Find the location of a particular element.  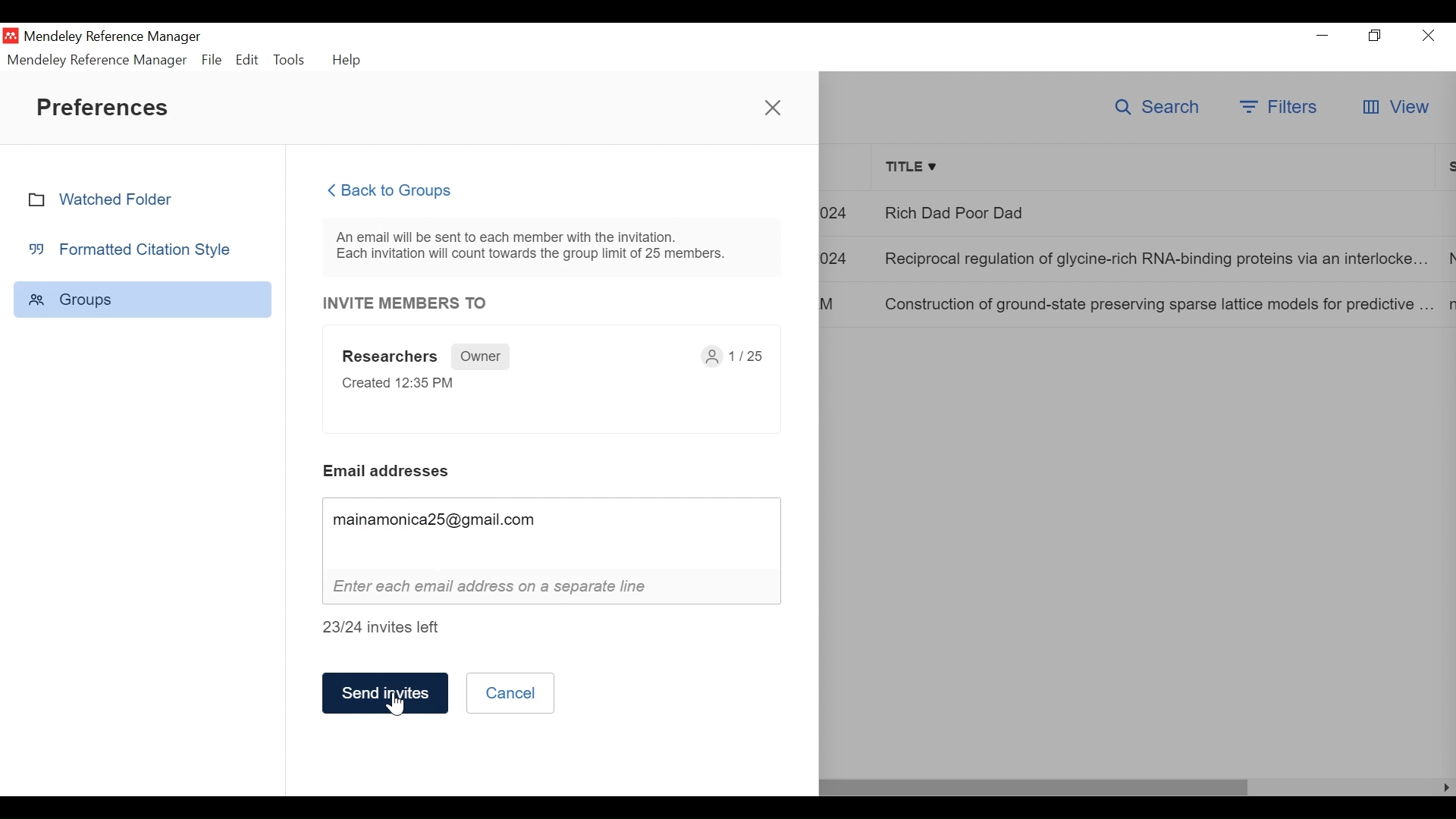

Mendeley Reference Manager is located at coordinates (112, 36).